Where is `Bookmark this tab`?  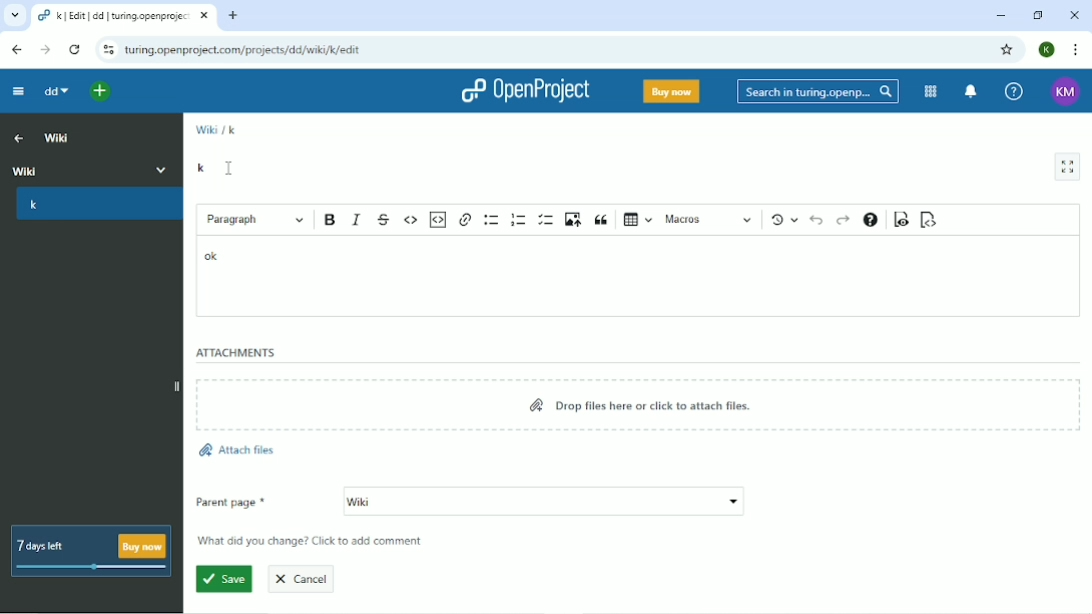 Bookmark this tab is located at coordinates (1006, 49).